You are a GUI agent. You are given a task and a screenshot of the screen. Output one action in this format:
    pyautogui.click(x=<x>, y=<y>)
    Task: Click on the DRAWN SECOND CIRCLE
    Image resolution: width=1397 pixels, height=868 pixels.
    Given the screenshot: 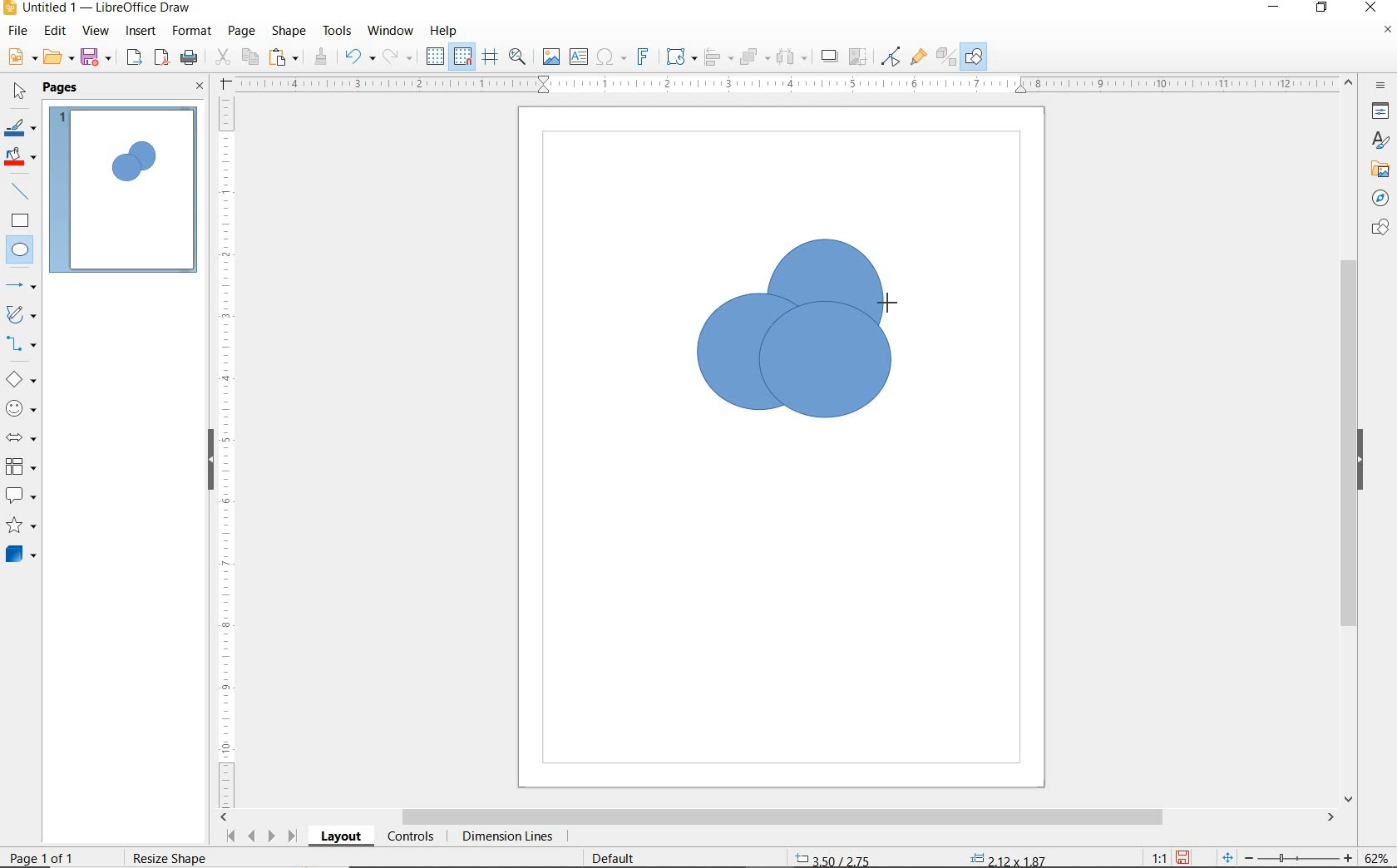 What is the action you would take?
    pyautogui.click(x=760, y=358)
    